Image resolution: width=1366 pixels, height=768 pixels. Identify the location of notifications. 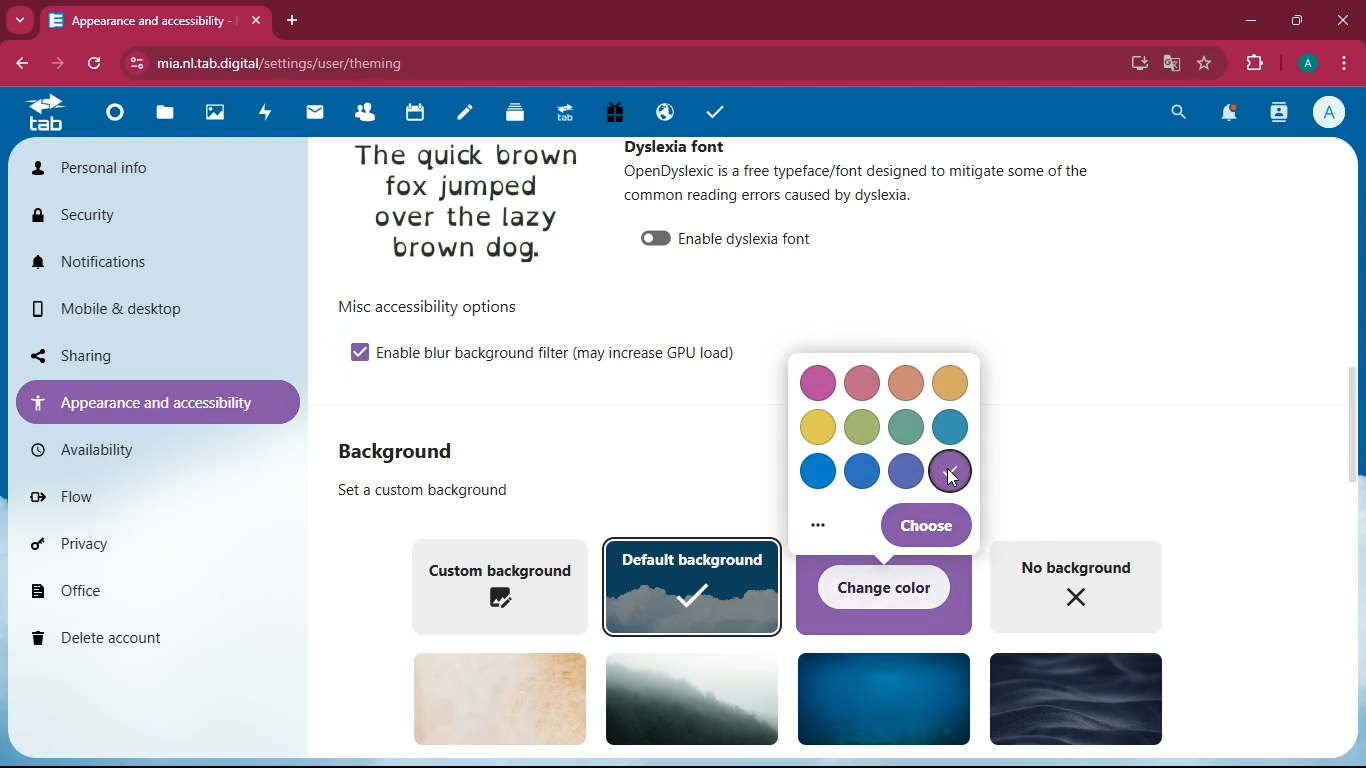
(1228, 116).